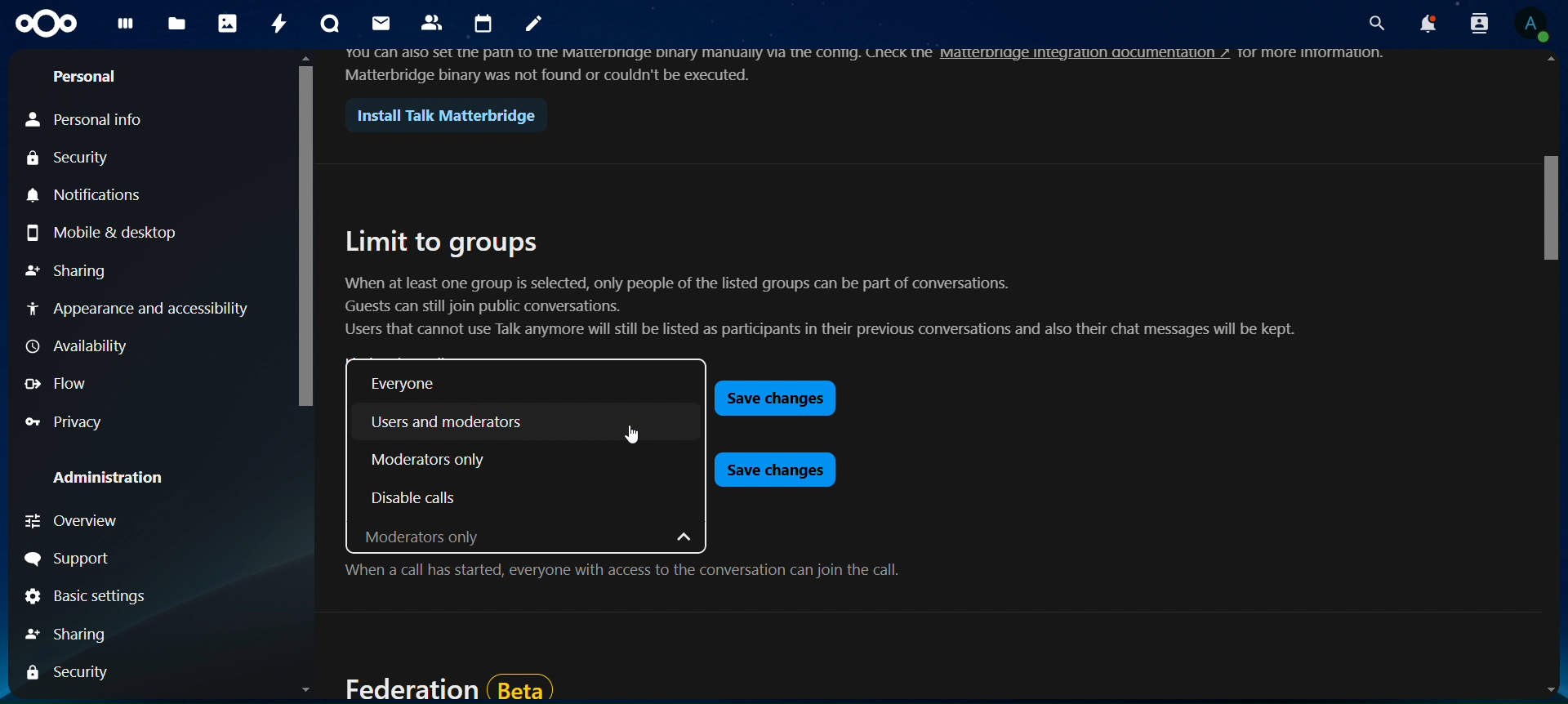 The height and width of the screenshot is (704, 1568). What do you see at coordinates (74, 423) in the screenshot?
I see `privacy` at bounding box center [74, 423].